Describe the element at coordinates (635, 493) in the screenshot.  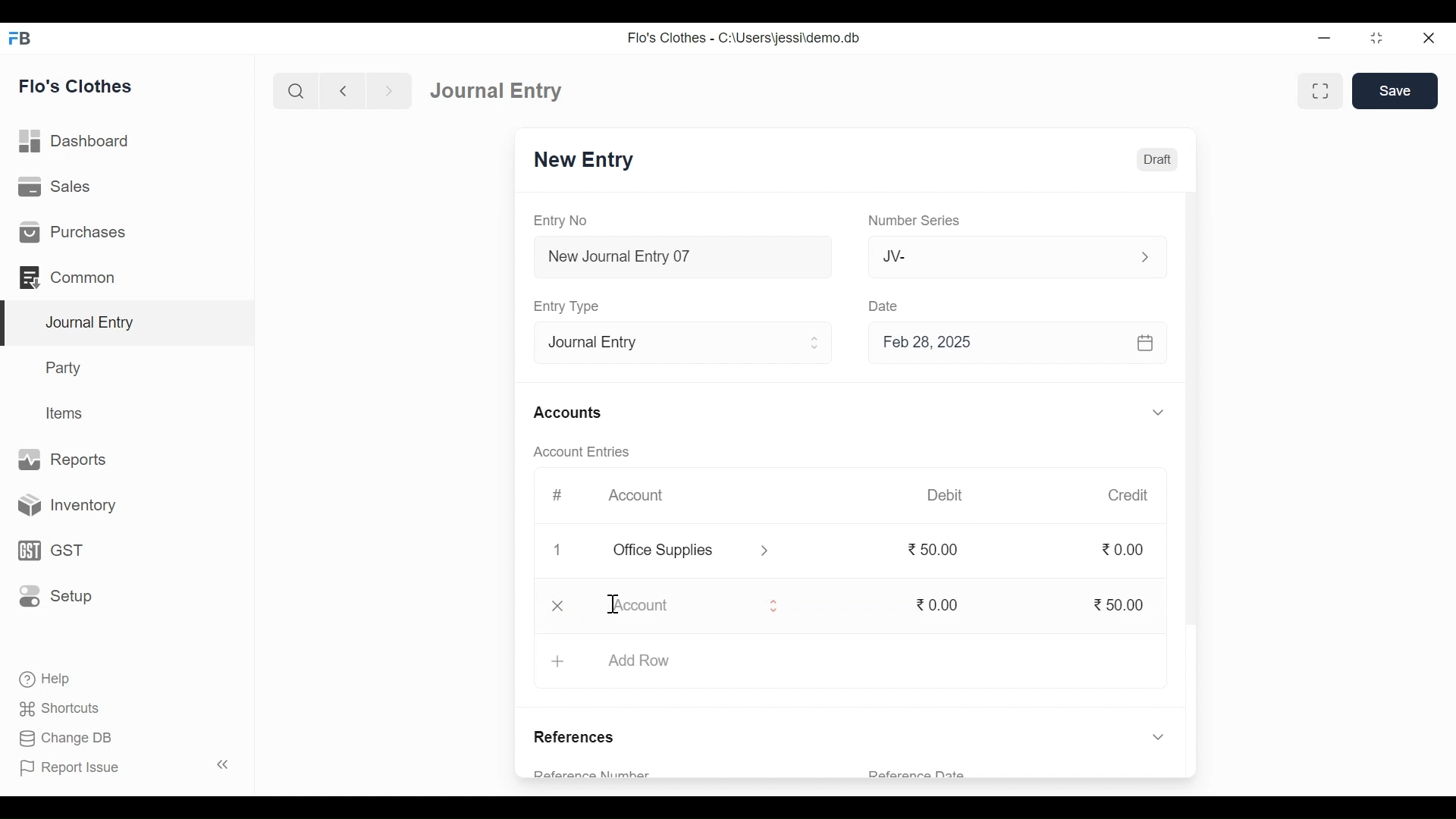
I see `Account` at that location.